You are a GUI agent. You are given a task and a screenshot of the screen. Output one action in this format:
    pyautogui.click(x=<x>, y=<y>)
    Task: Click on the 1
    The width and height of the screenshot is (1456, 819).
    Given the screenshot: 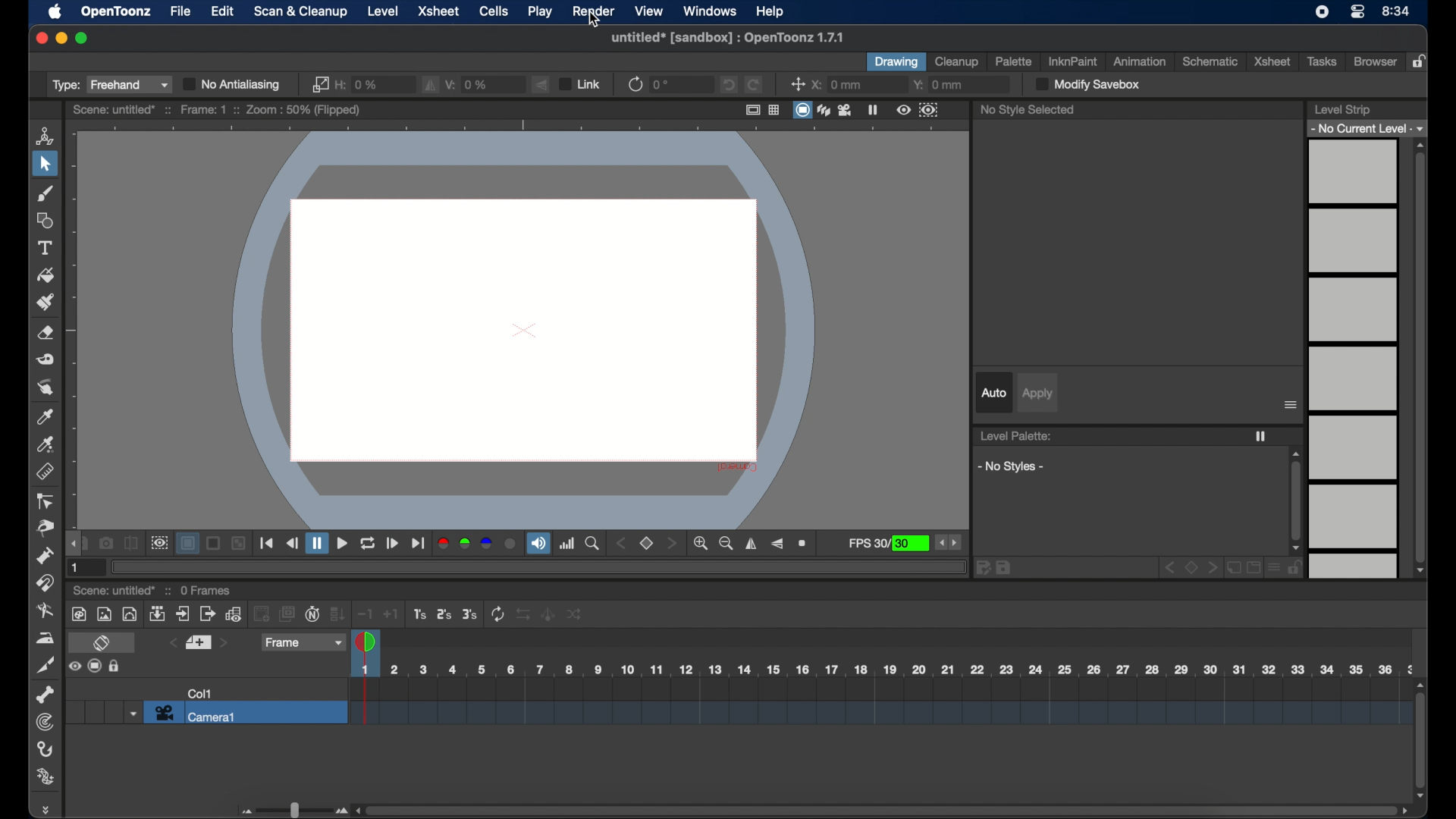 What is the action you would take?
    pyautogui.click(x=77, y=568)
    